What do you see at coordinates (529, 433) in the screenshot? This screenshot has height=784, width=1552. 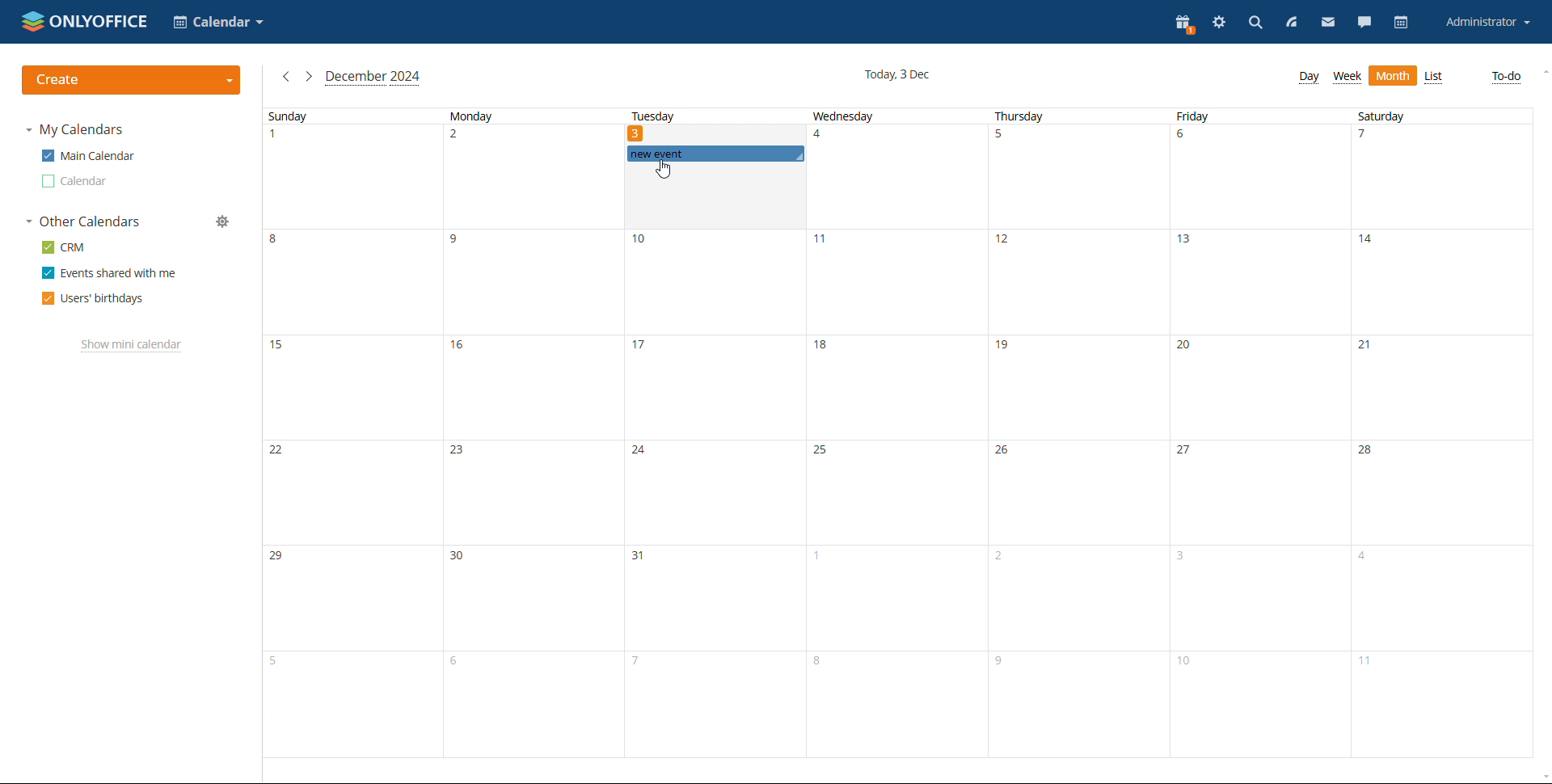 I see `monday` at bounding box center [529, 433].